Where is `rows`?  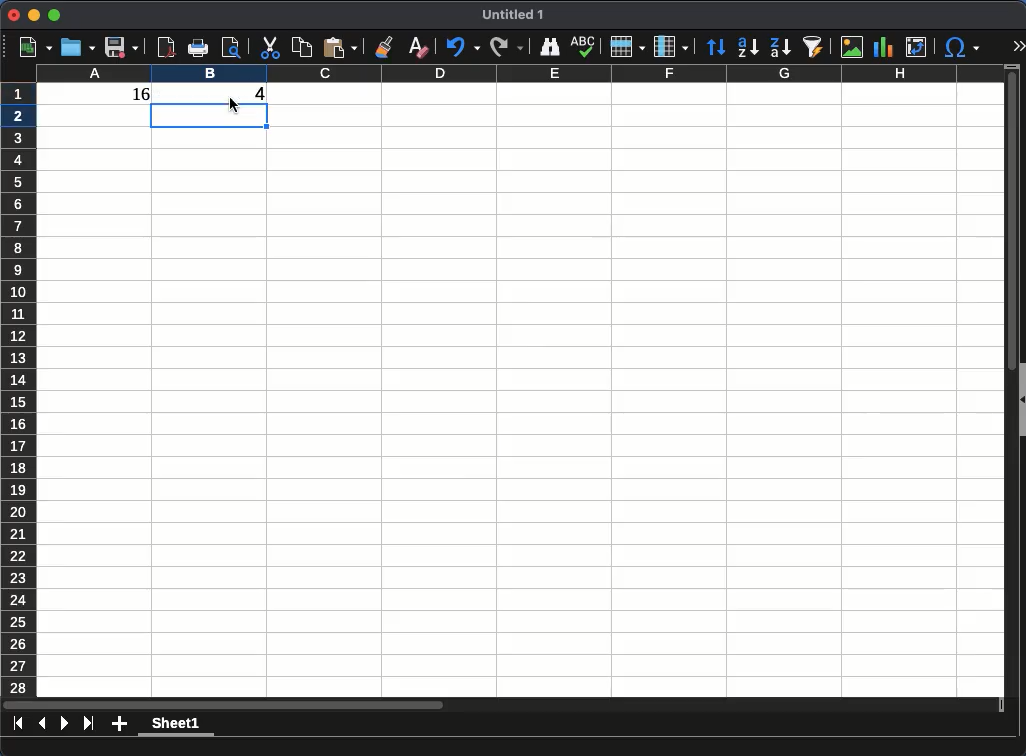
rows is located at coordinates (19, 388).